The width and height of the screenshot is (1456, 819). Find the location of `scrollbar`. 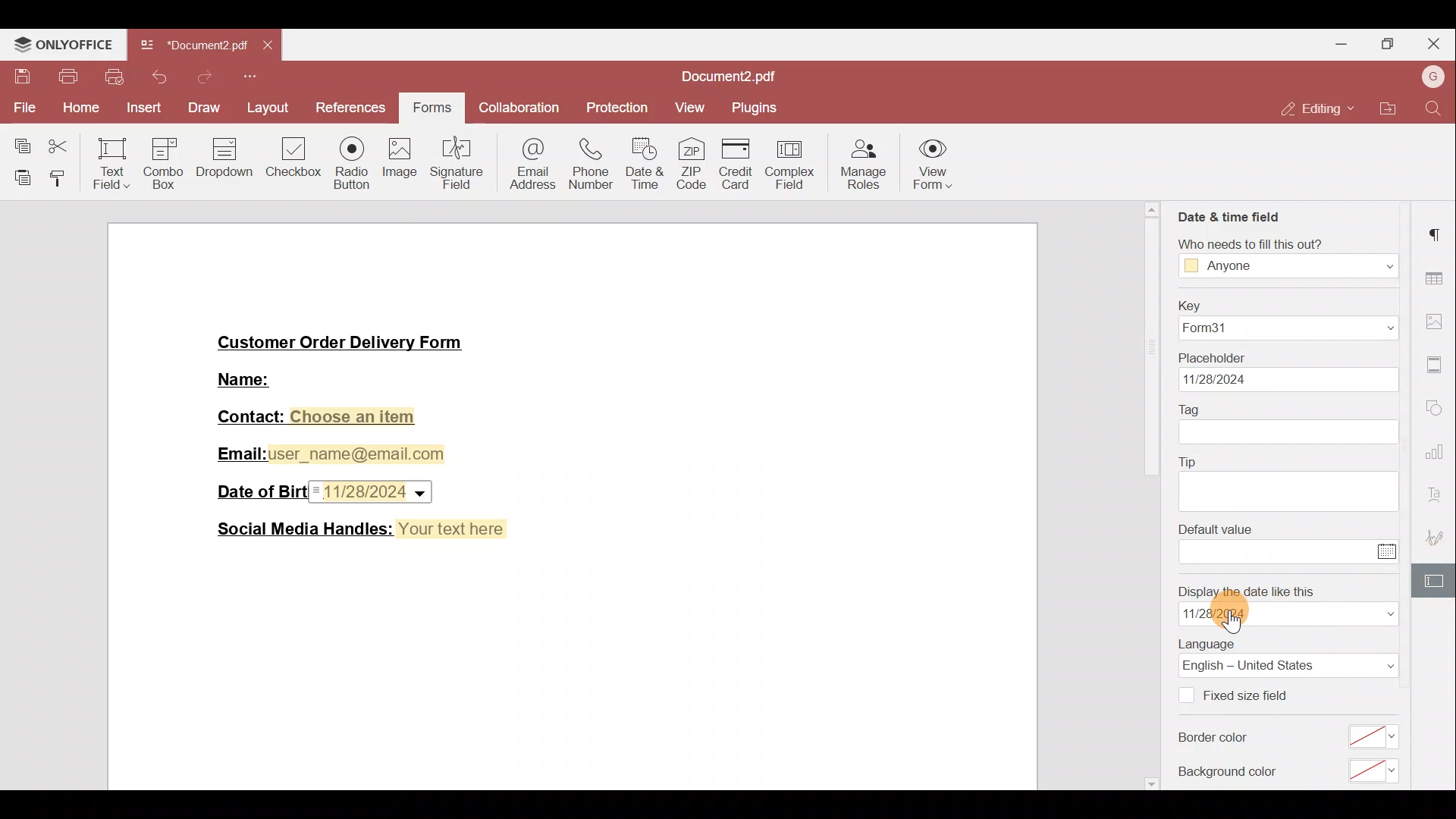

scrollbar is located at coordinates (1153, 496).